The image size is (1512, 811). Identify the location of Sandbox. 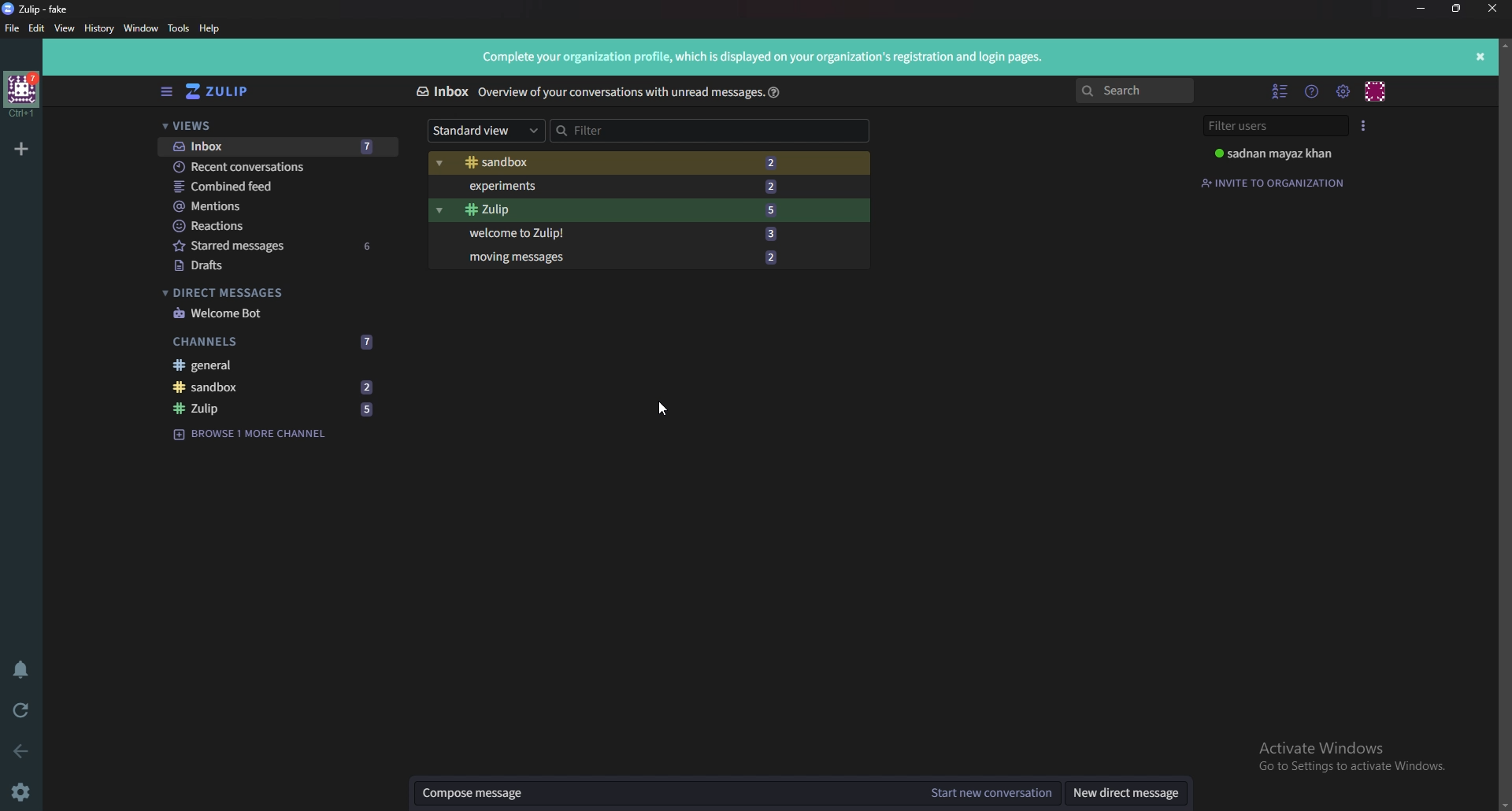
(277, 387).